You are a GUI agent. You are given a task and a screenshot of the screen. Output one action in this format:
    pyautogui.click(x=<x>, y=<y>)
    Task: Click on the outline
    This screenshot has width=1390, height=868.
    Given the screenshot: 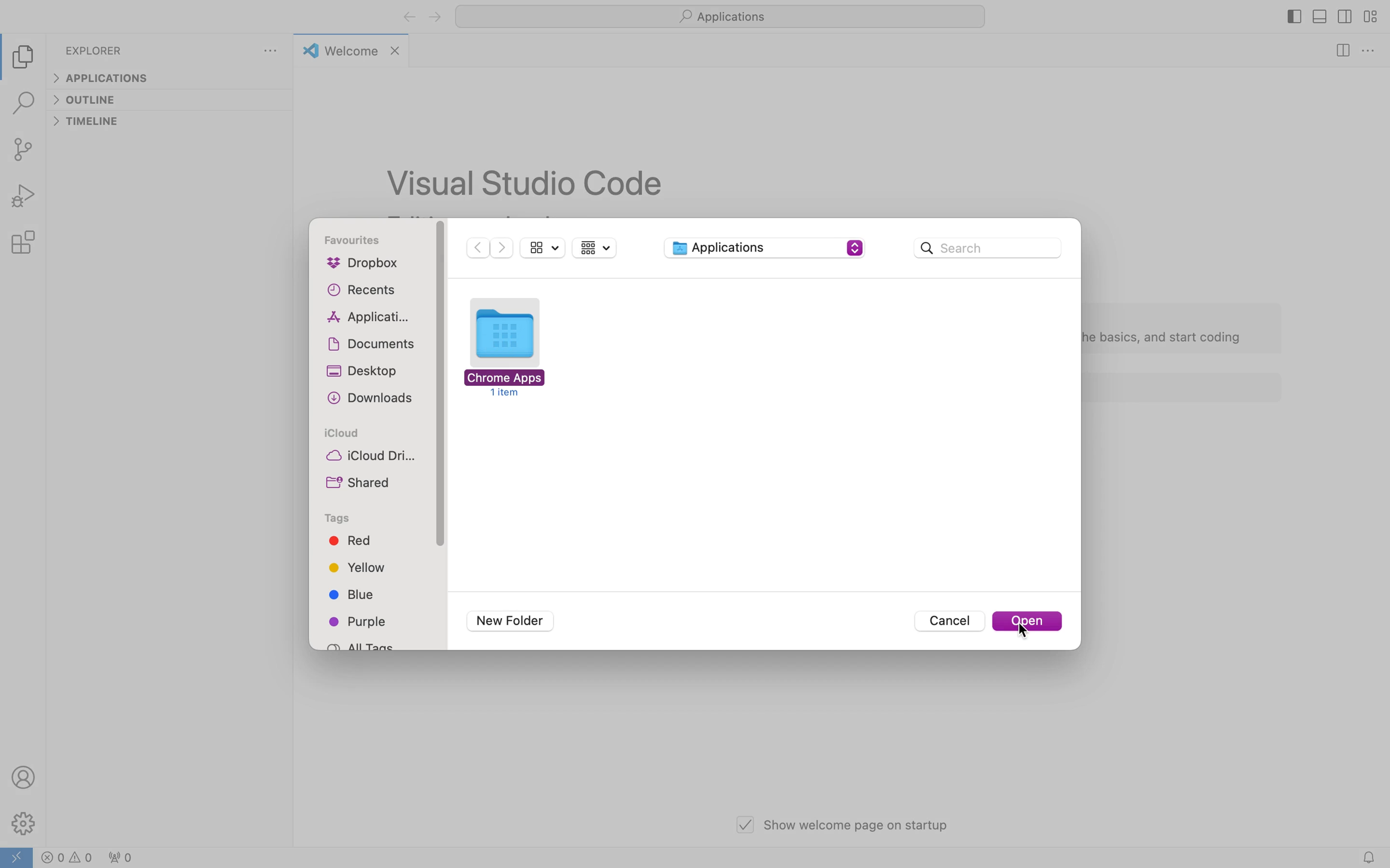 What is the action you would take?
    pyautogui.click(x=91, y=100)
    